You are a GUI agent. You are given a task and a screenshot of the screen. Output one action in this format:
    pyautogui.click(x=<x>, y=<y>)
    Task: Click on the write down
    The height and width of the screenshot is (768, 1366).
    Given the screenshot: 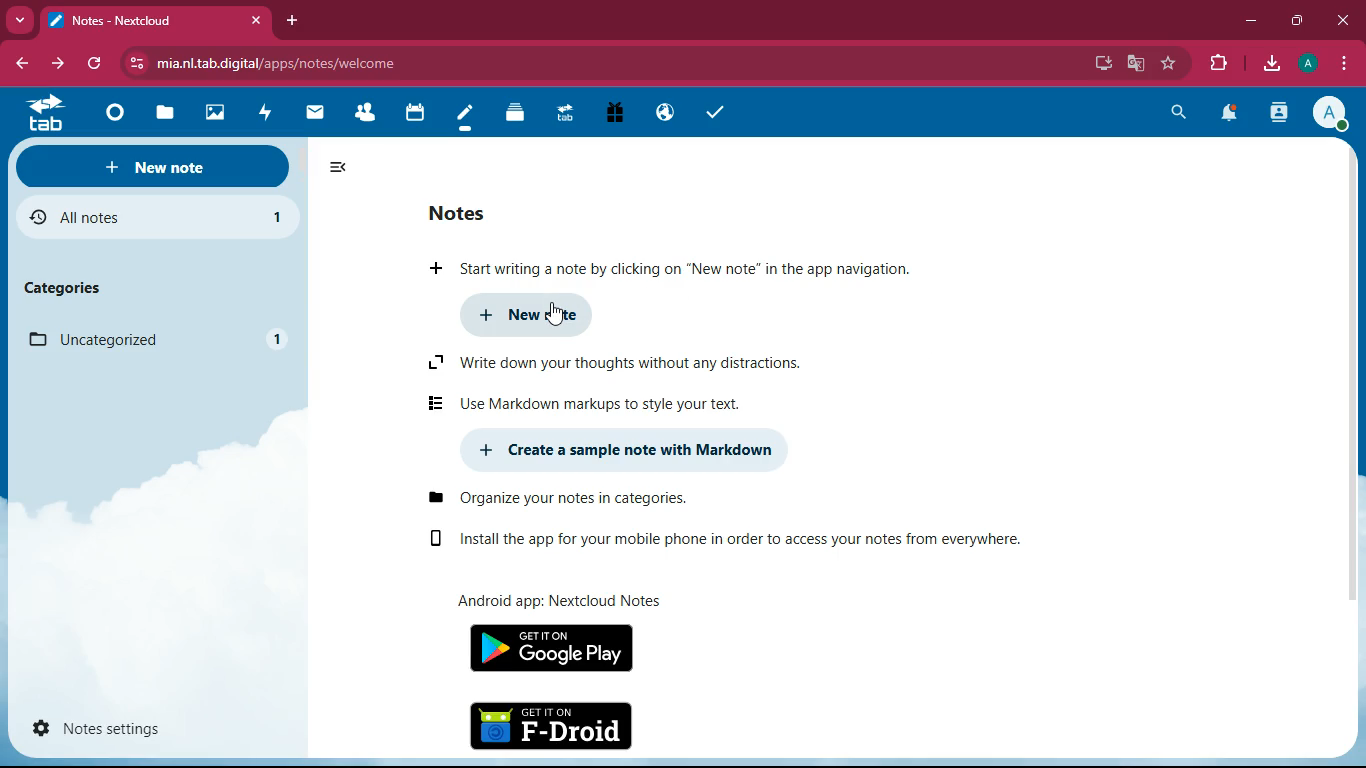 What is the action you would take?
    pyautogui.click(x=610, y=363)
    